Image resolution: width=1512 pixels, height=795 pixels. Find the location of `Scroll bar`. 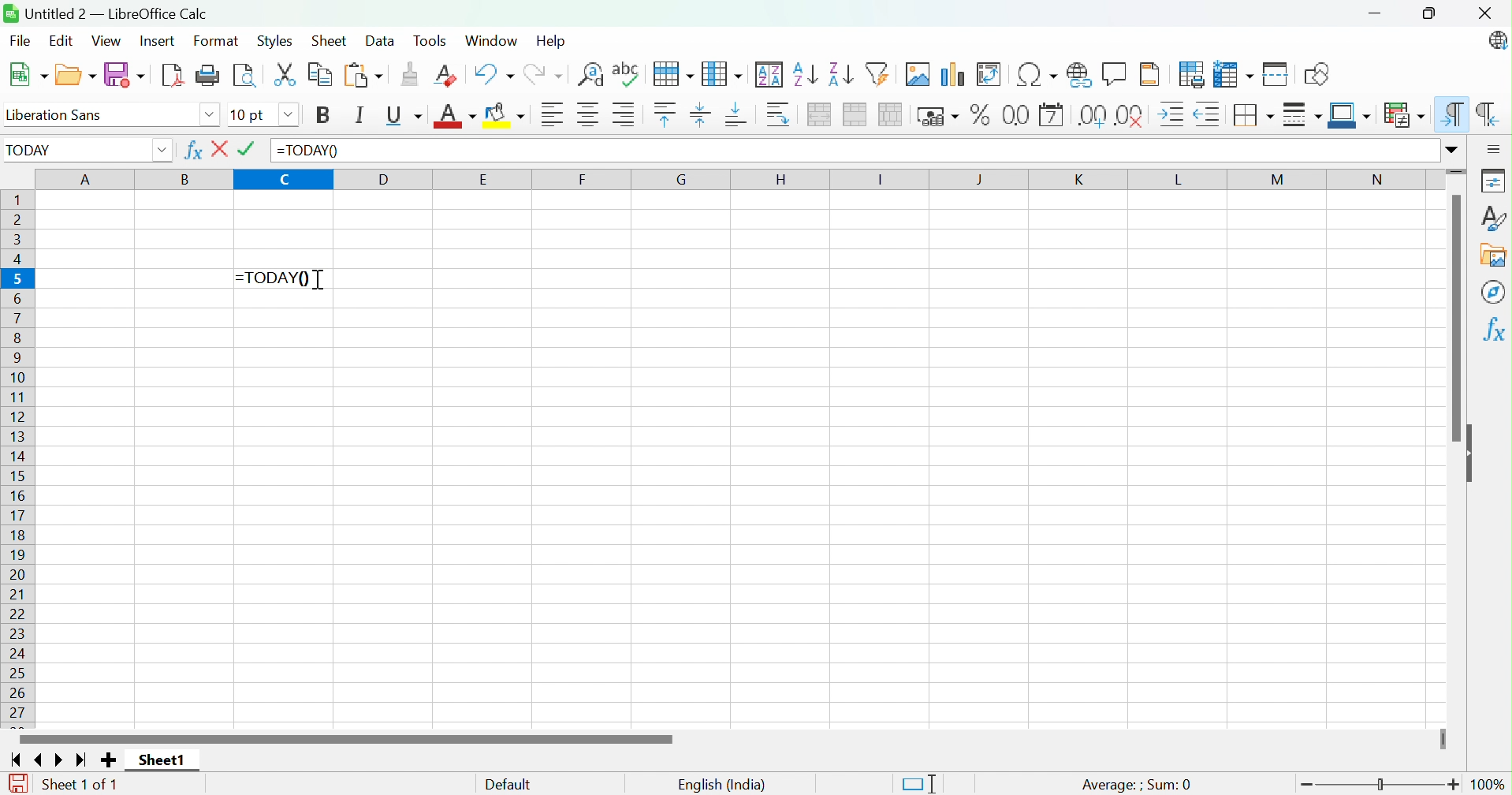

Scroll bar is located at coordinates (1456, 319).